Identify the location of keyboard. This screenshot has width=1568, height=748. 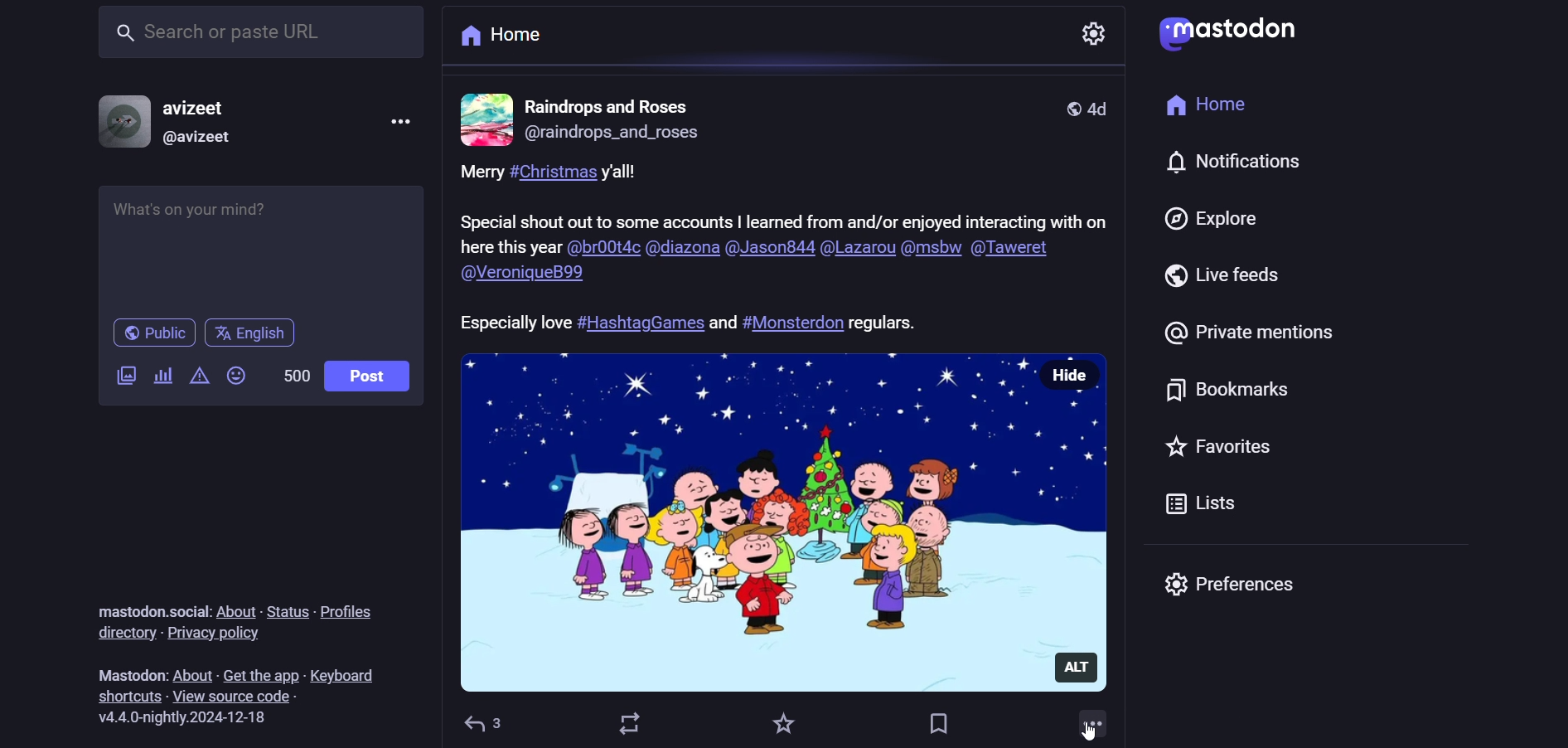
(347, 674).